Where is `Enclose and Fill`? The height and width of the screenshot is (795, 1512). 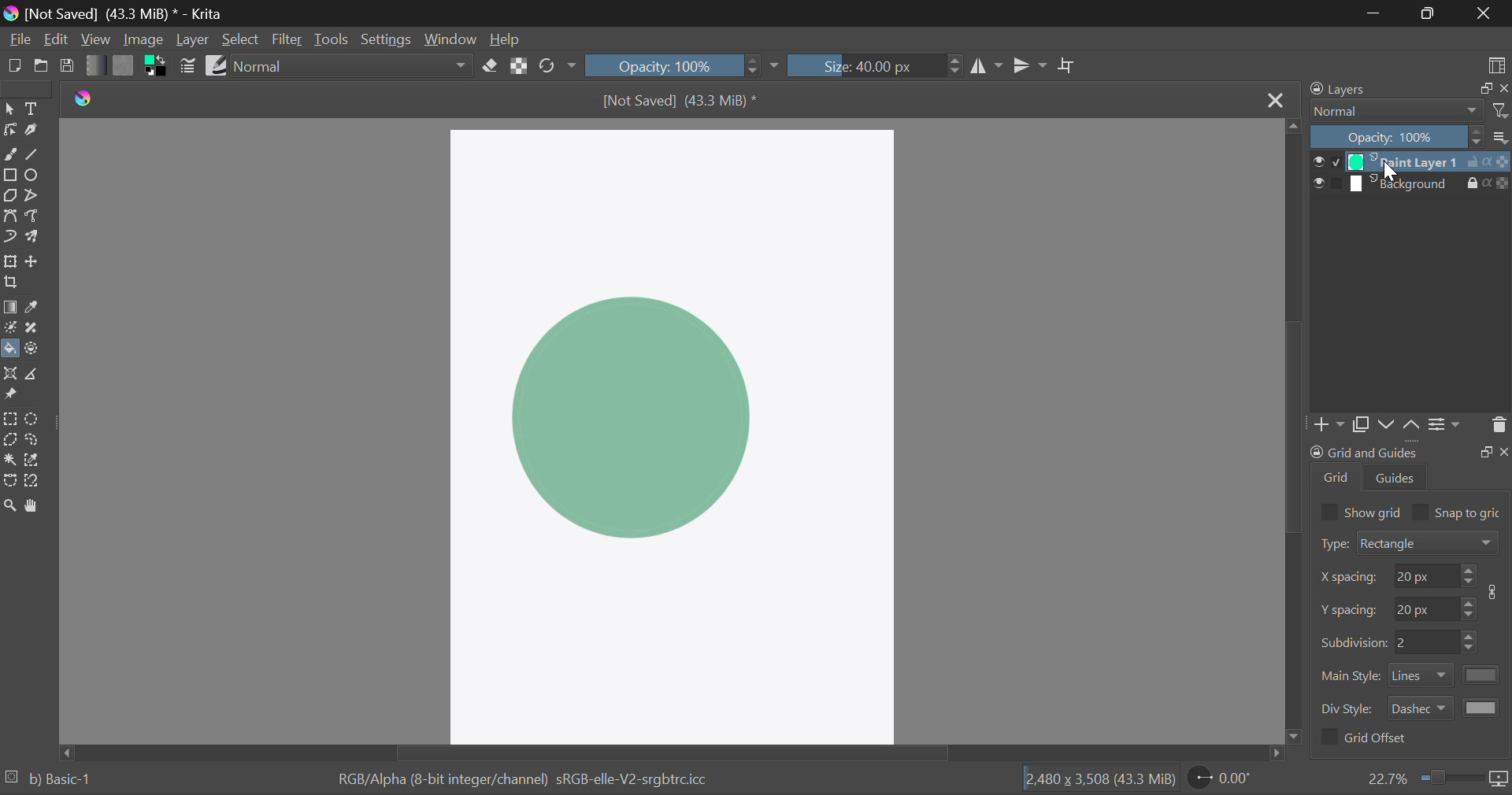
Enclose and Fill is located at coordinates (34, 349).